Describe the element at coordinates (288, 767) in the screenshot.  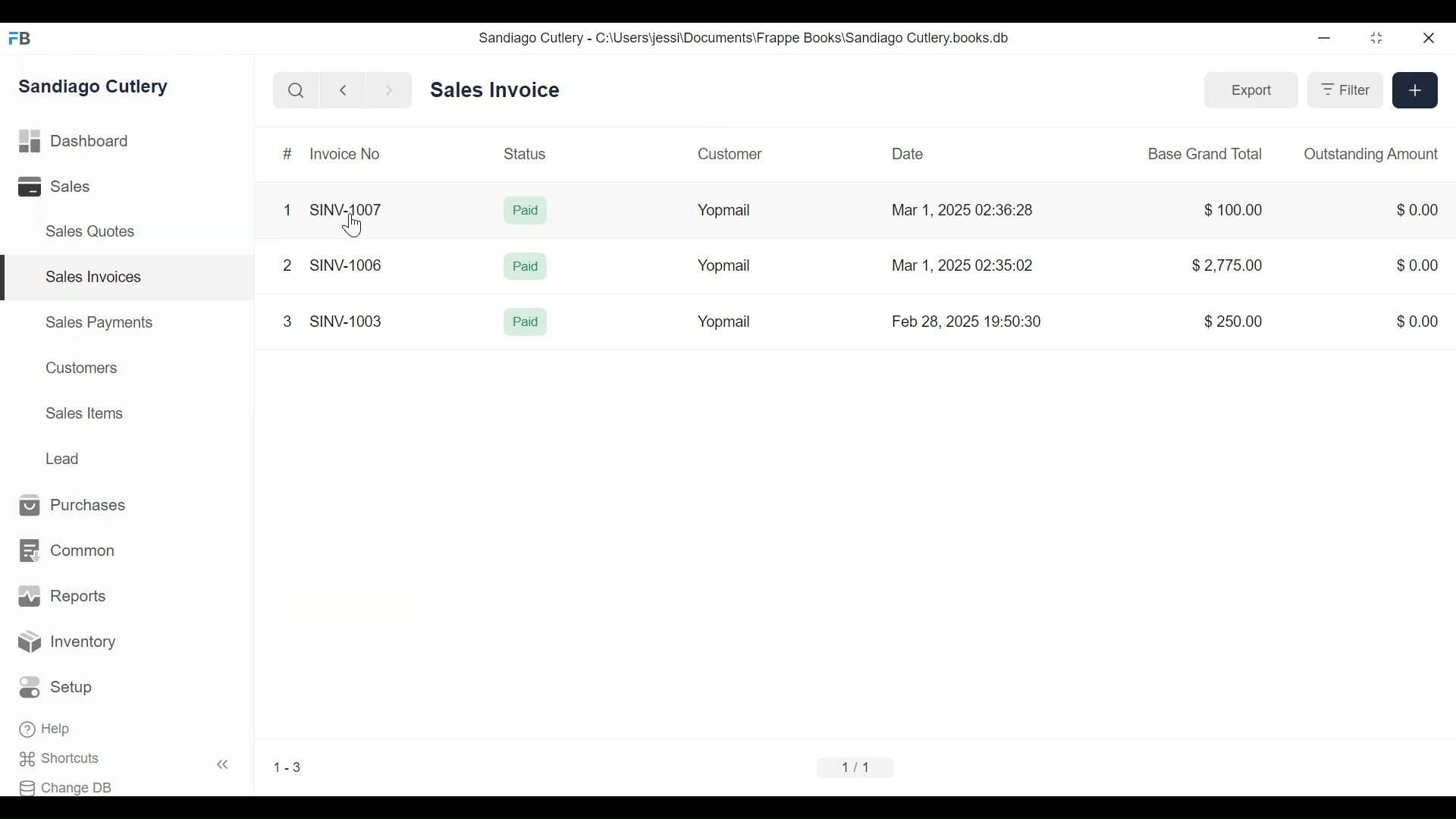
I see `1-3` at that location.